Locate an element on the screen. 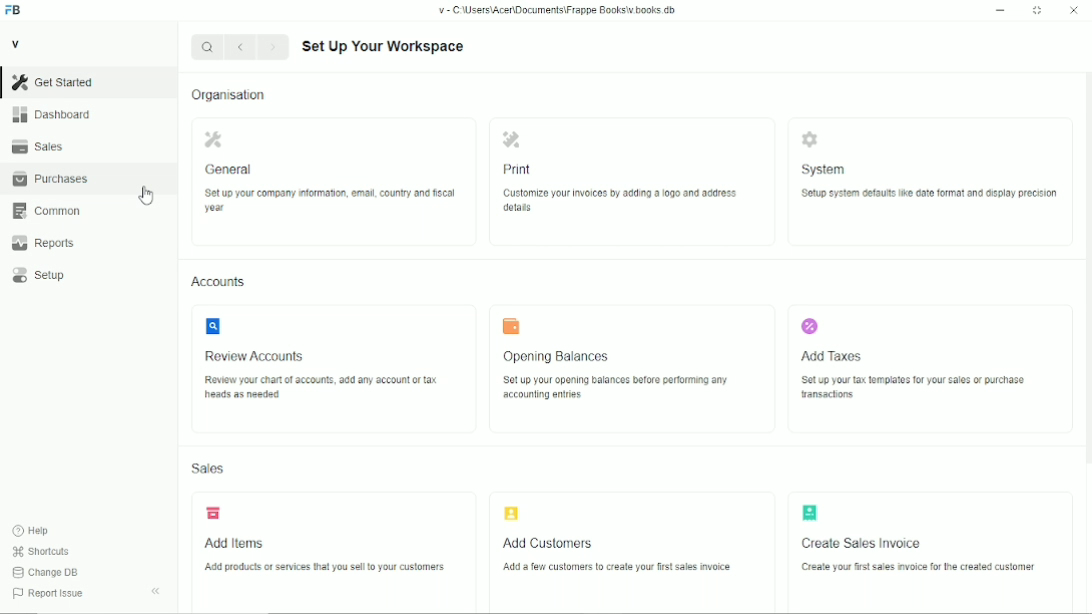 This screenshot has width=1092, height=614. Print is located at coordinates (521, 169).